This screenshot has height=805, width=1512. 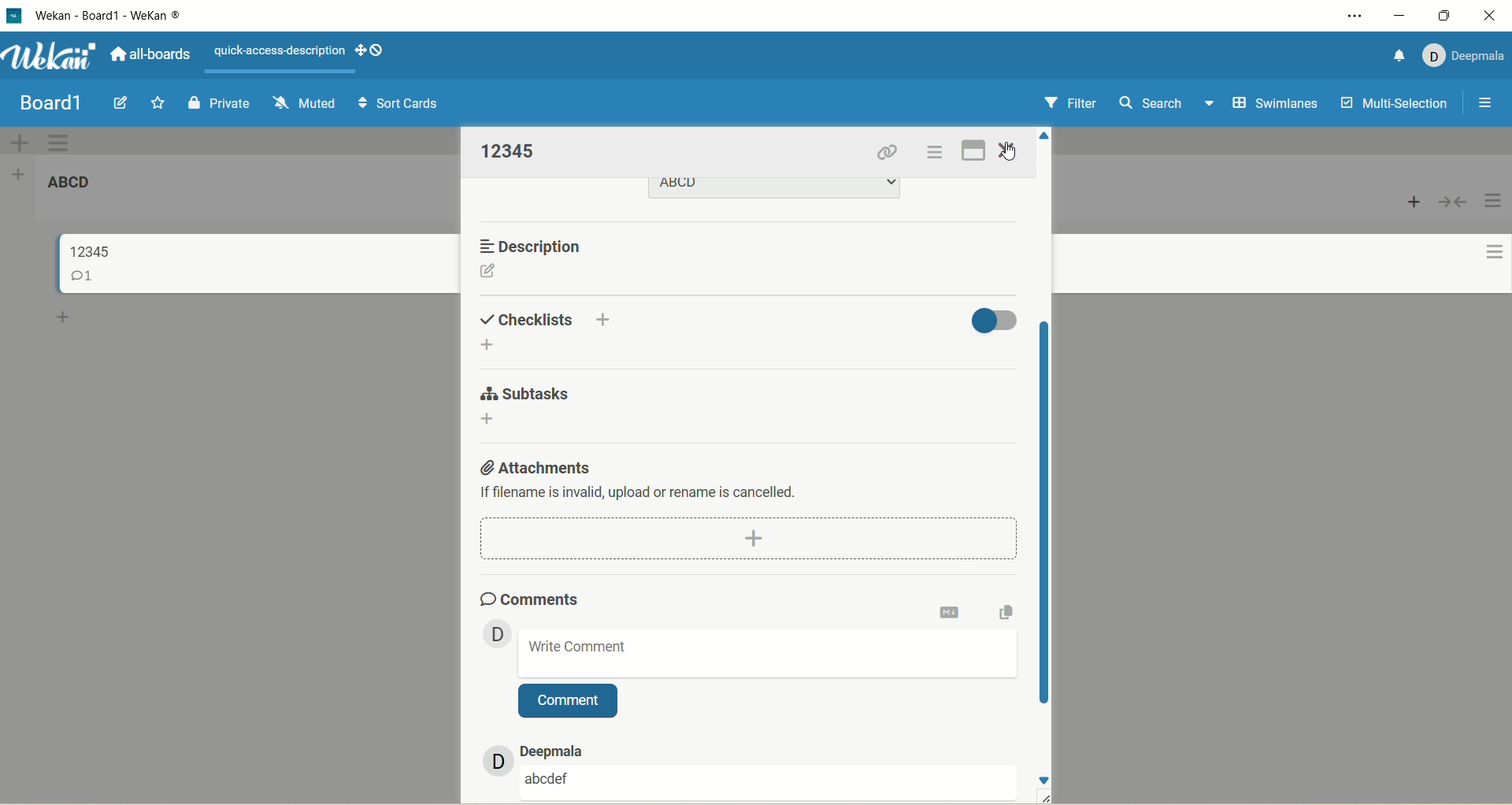 What do you see at coordinates (995, 318) in the screenshot?
I see `toggle button` at bounding box center [995, 318].